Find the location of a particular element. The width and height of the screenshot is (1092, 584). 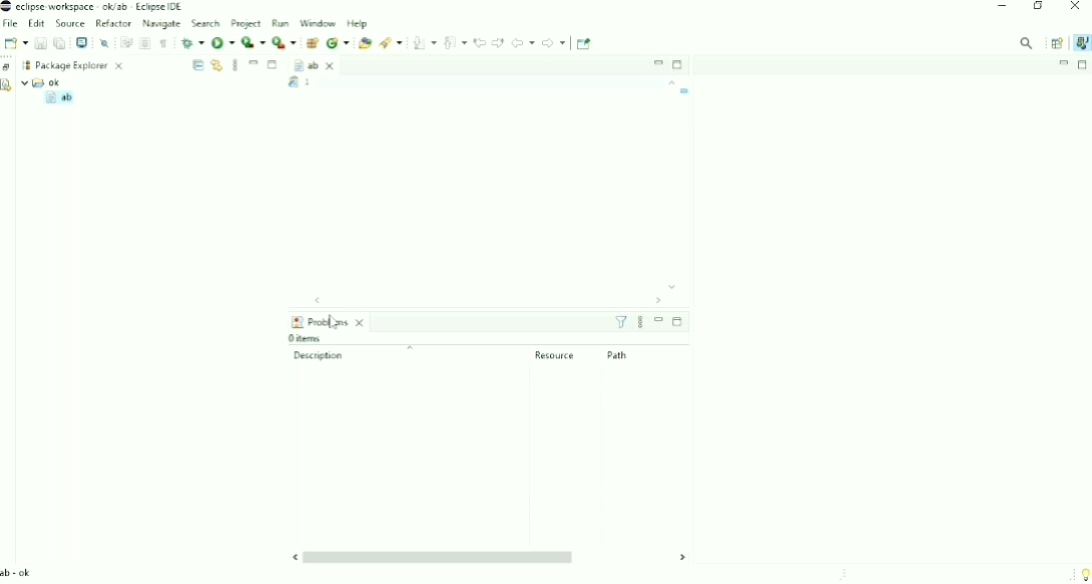

Debug is located at coordinates (193, 43).